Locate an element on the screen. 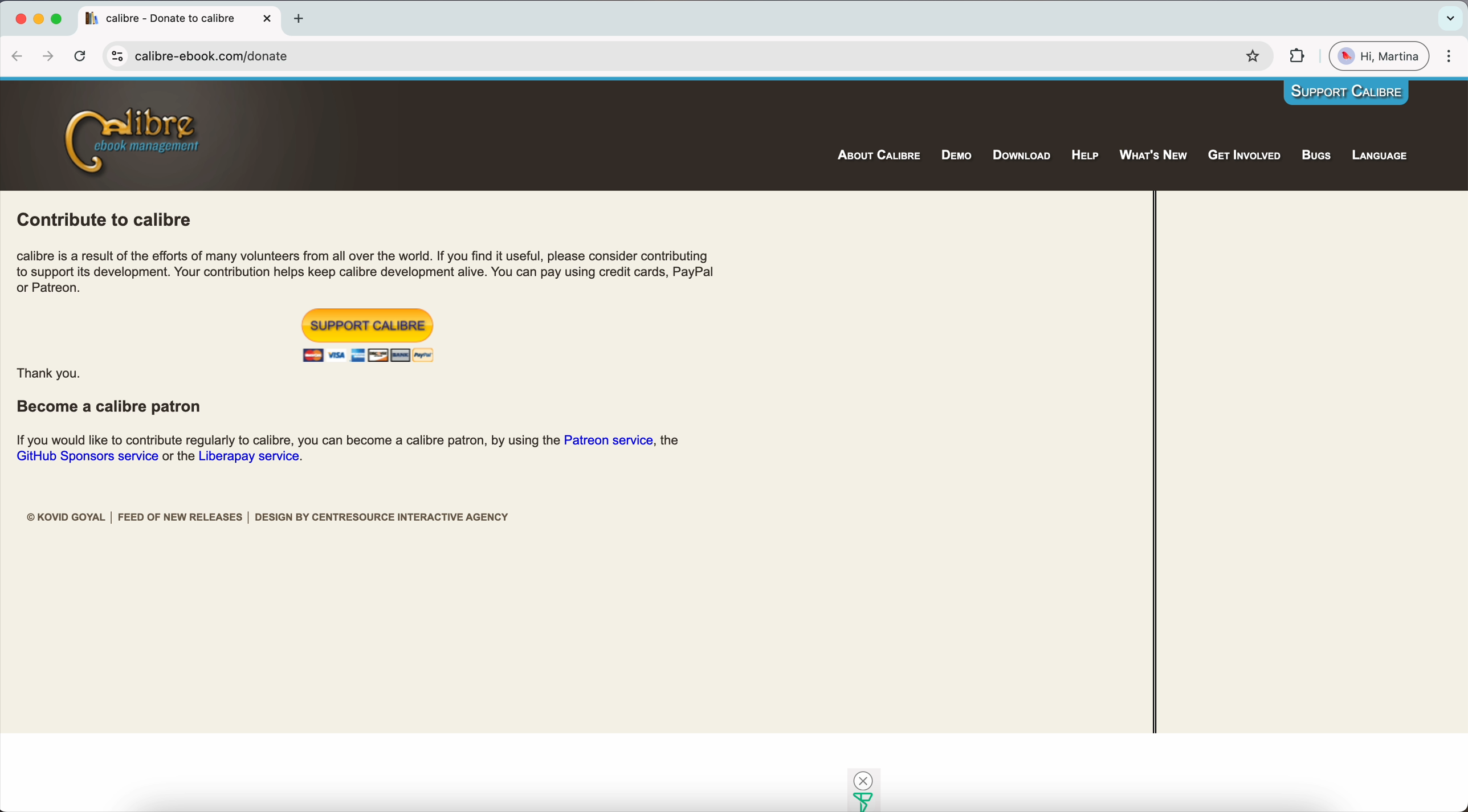 This screenshot has width=1468, height=812. Hi, Martina is located at coordinates (1379, 56).